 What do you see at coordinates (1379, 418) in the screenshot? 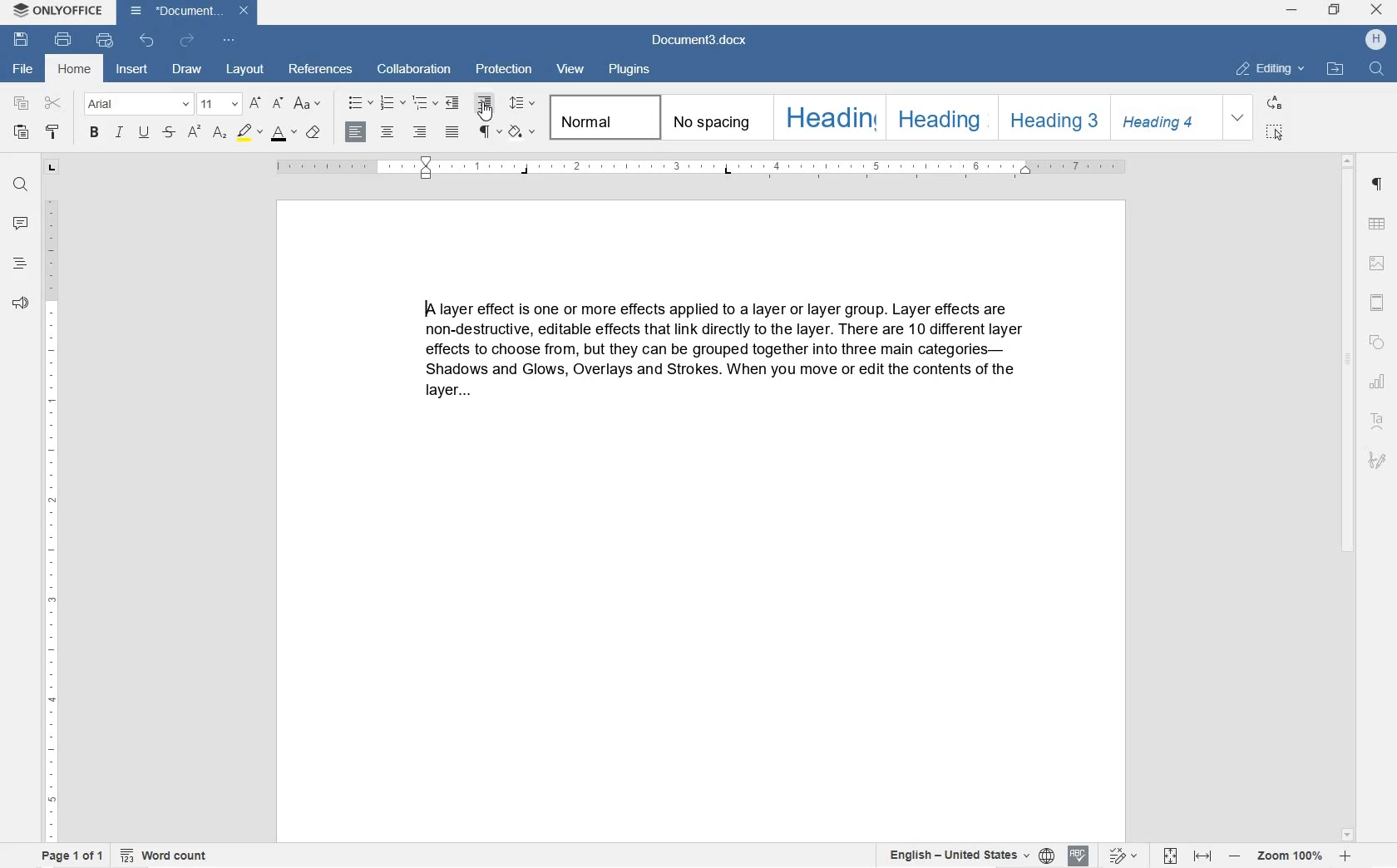
I see `TEXT ART` at bounding box center [1379, 418].